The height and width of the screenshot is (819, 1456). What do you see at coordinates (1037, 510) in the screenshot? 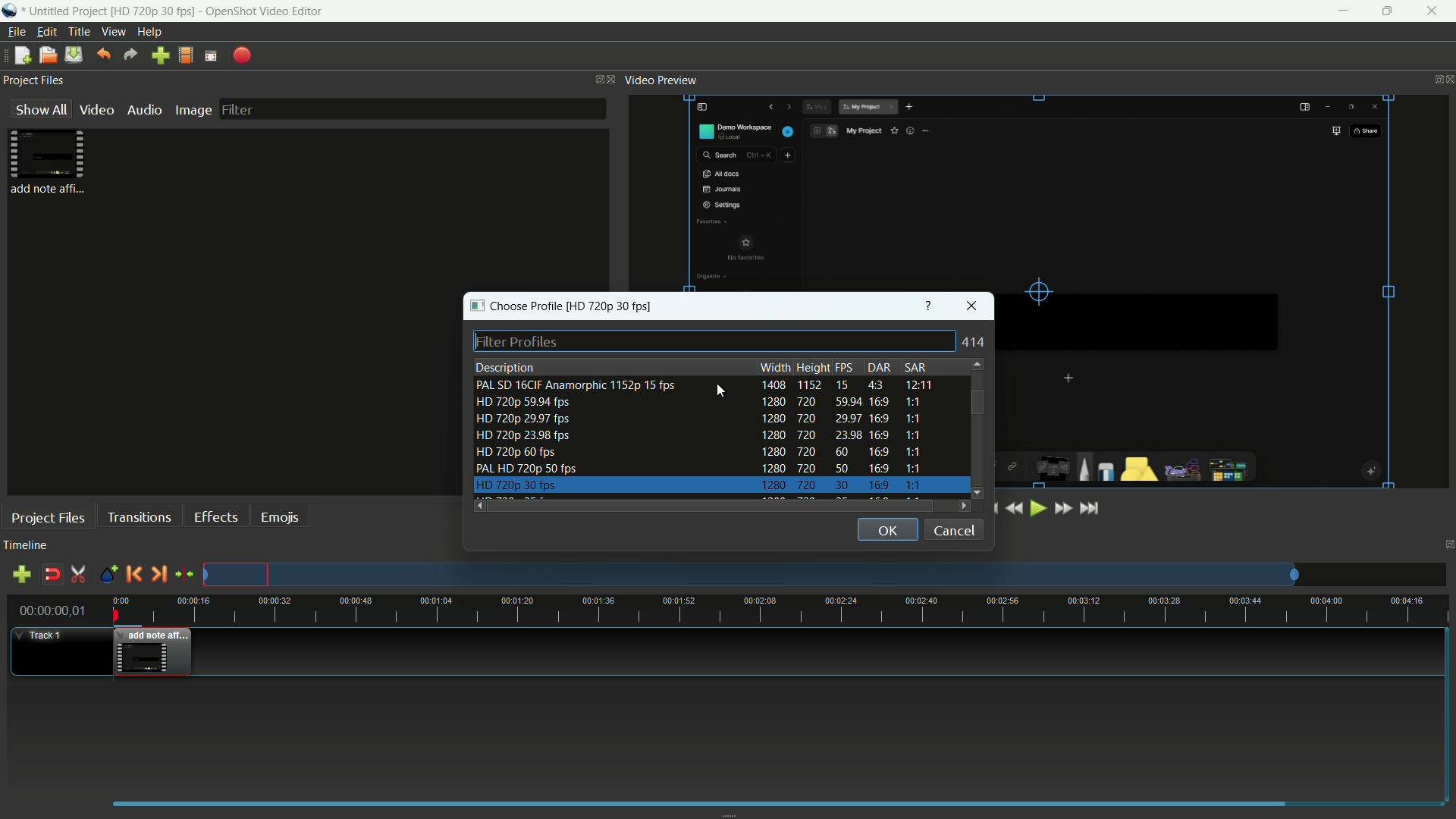
I see `play or pause` at bounding box center [1037, 510].